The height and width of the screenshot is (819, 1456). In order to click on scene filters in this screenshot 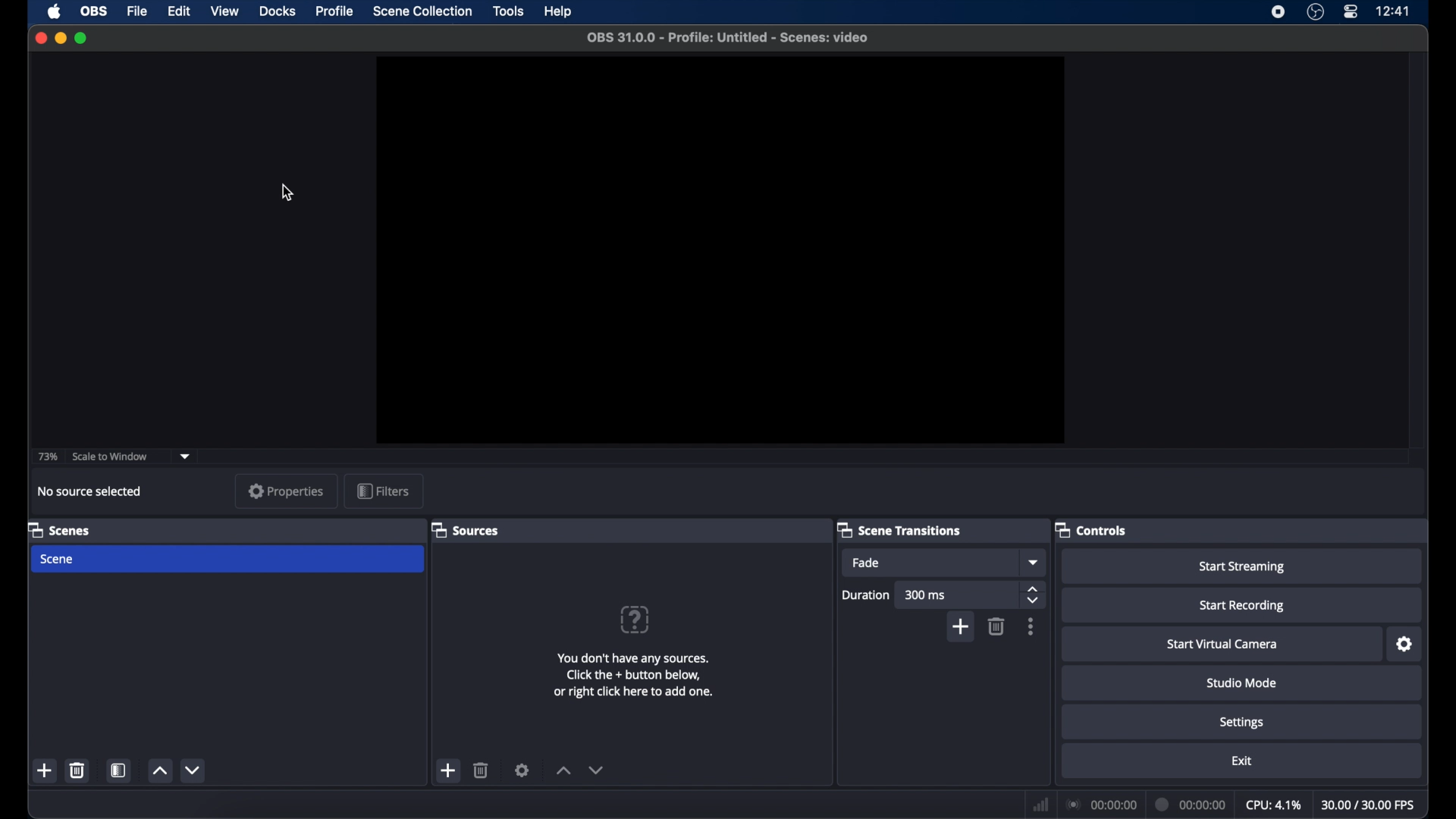, I will do `click(119, 770)`.